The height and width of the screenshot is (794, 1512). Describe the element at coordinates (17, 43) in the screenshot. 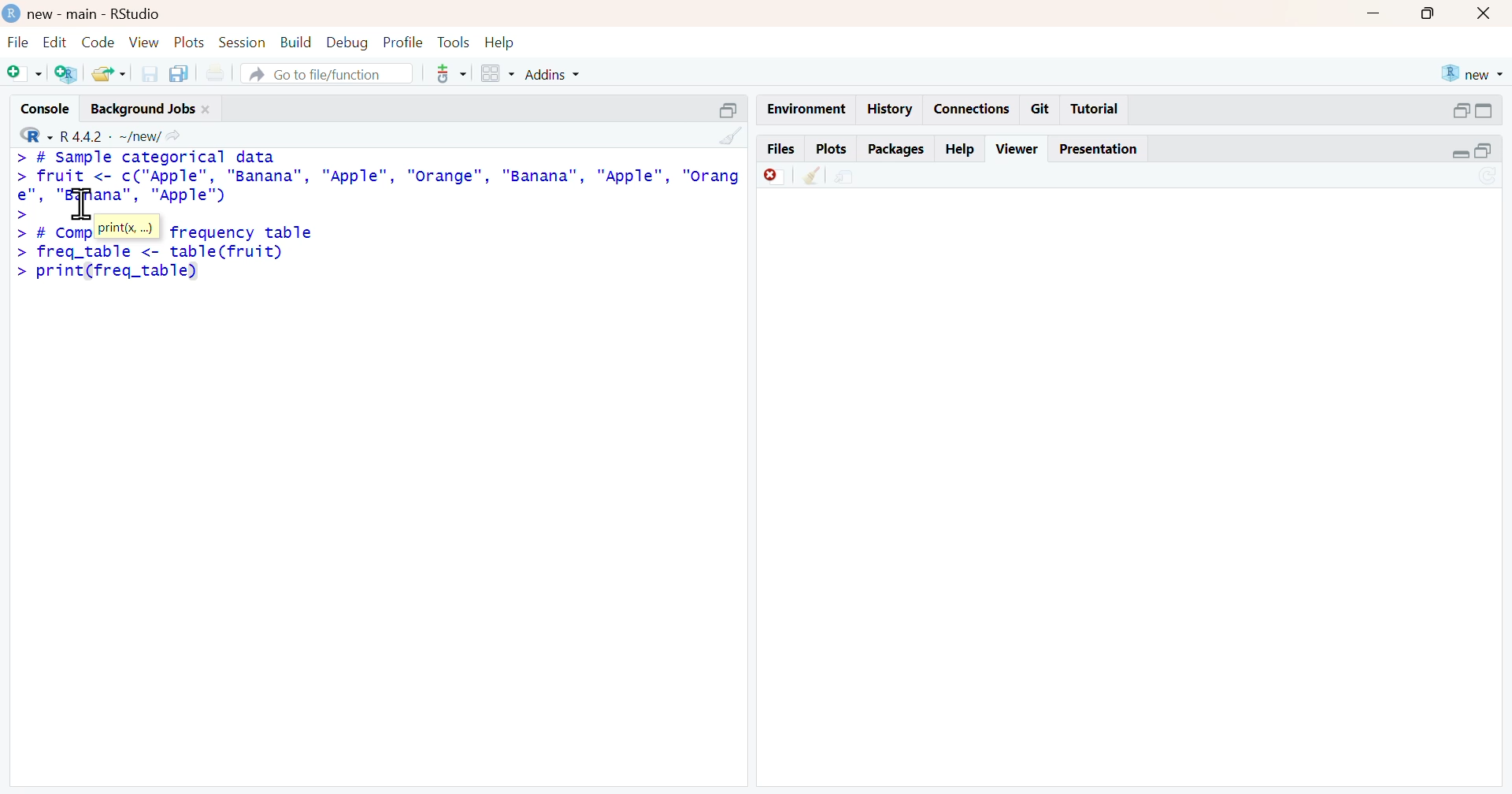

I see `file` at that location.